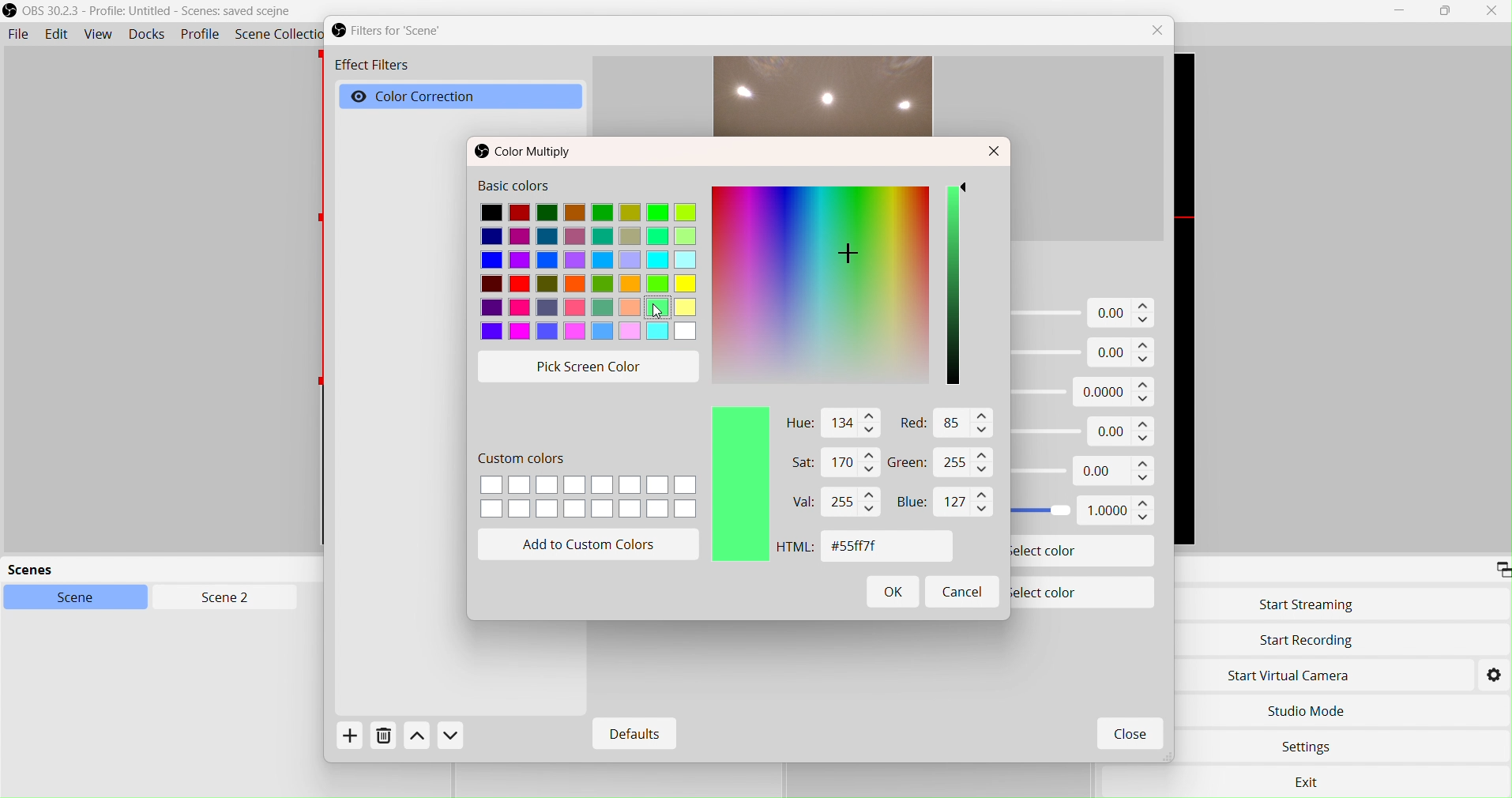 The width and height of the screenshot is (1512, 798). I want to click on Add, so click(355, 740).